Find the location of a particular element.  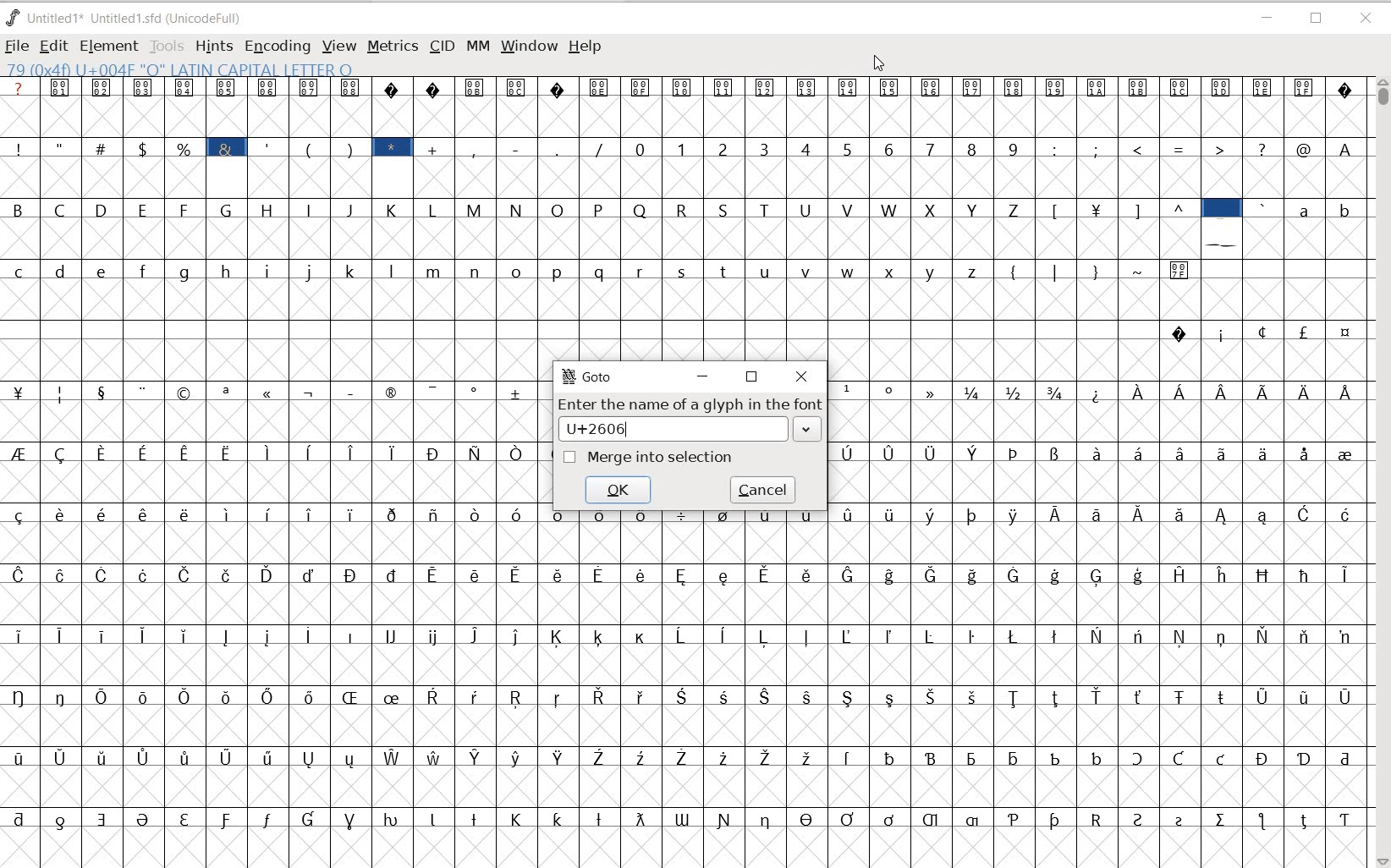

GoTo is located at coordinates (588, 376).